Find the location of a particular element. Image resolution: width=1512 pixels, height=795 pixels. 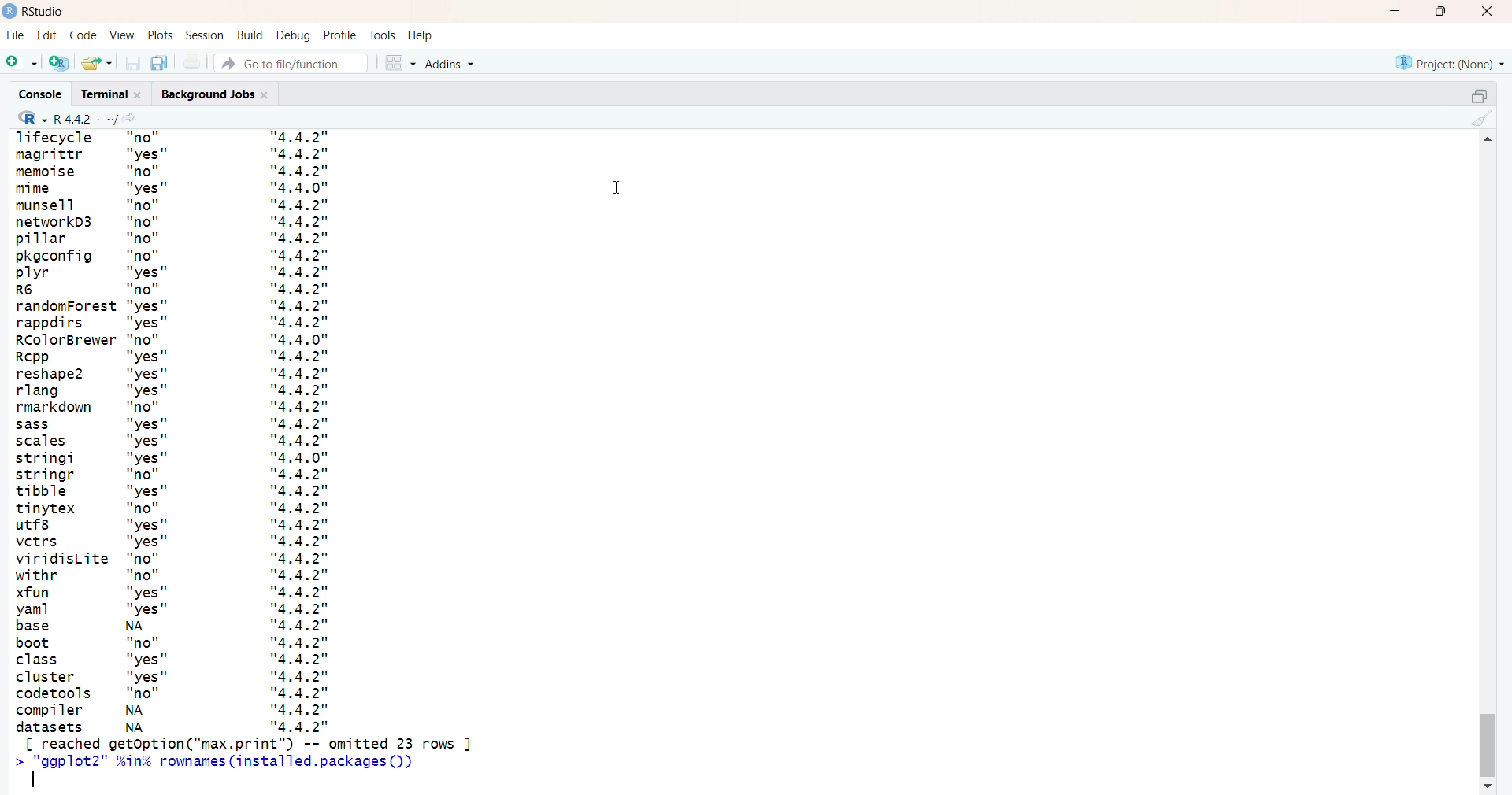

terminal is located at coordinates (111, 93).